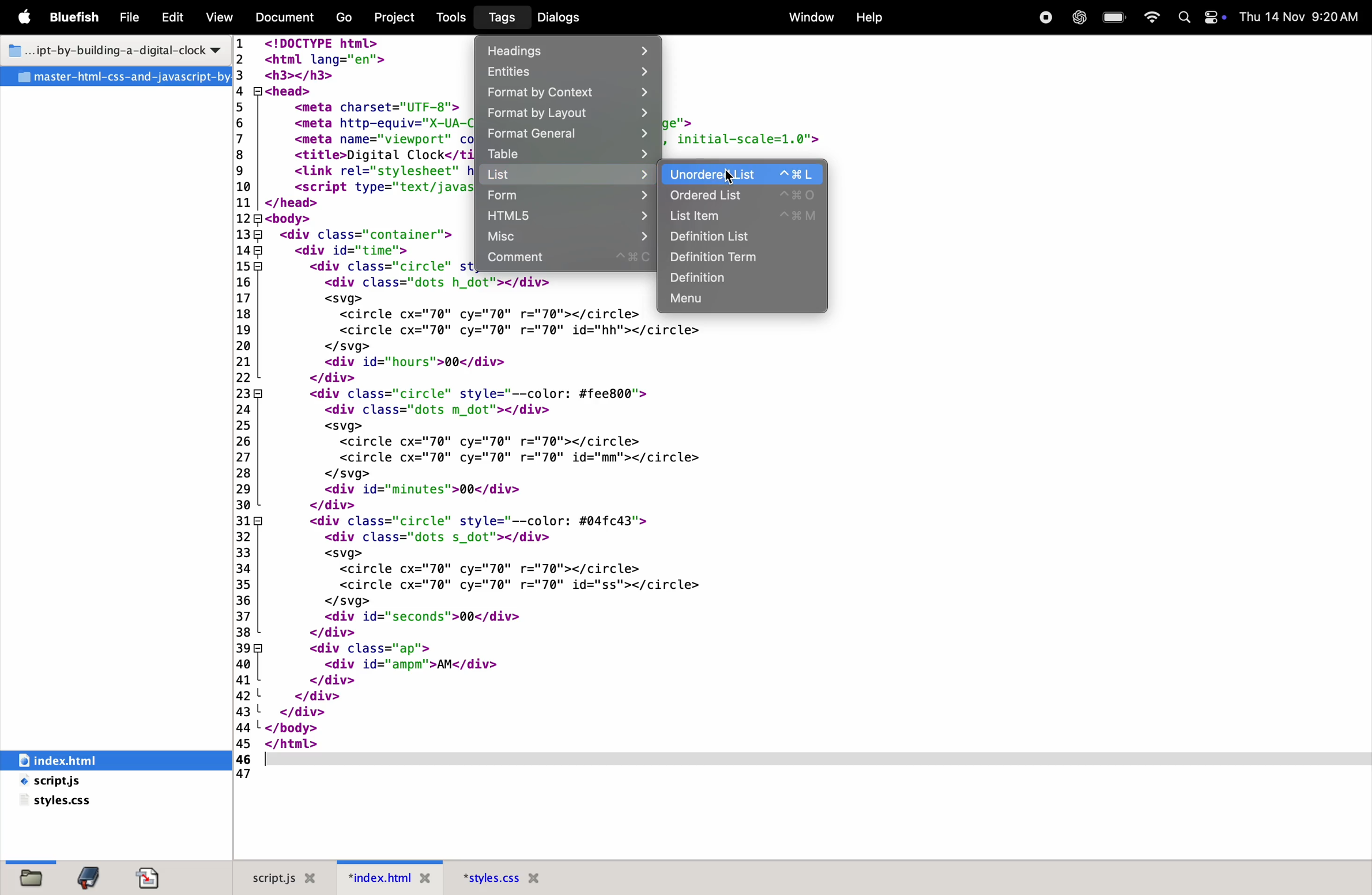 Image resolution: width=1372 pixels, height=895 pixels. What do you see at coordinates (569, 153) in the screenshot?
I see `table` at bounding box center [569, 153].